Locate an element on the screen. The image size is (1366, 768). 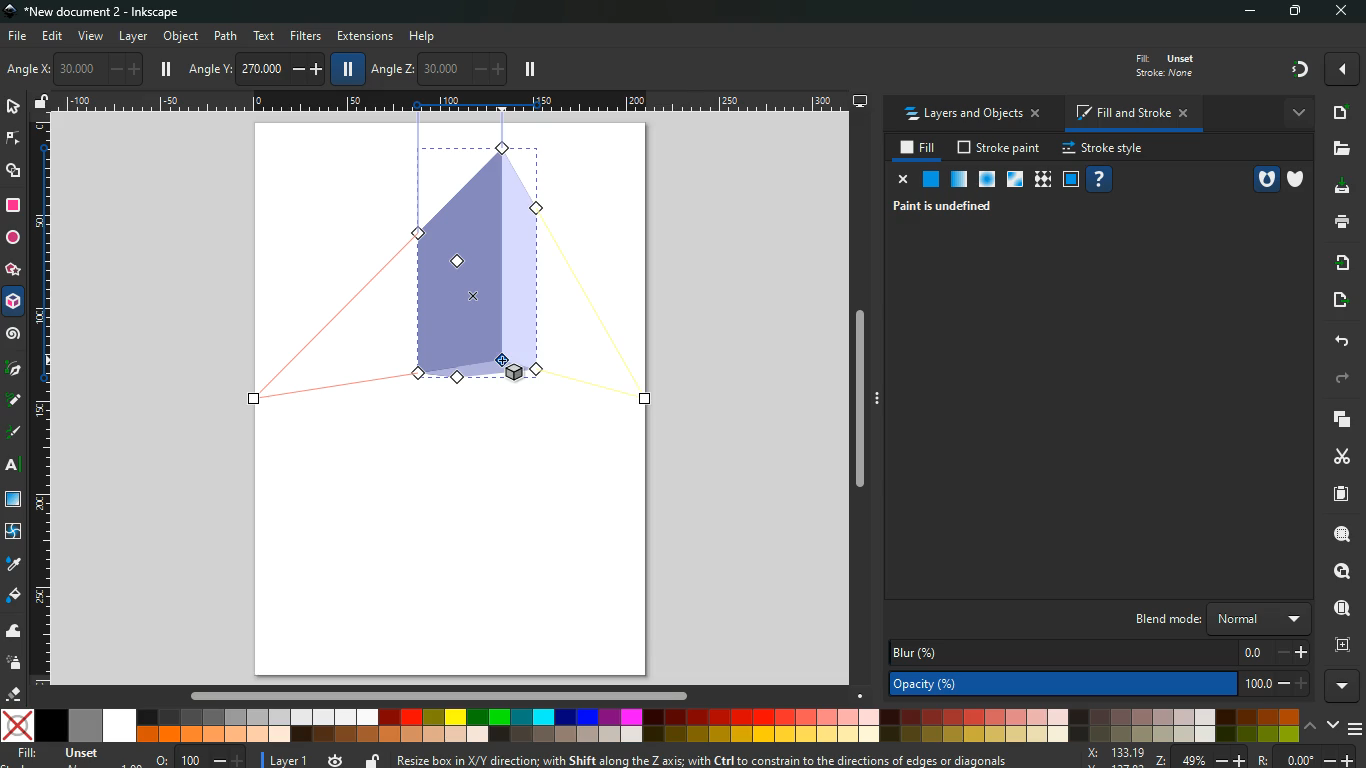
Scroll bar is located at coordinates (866, 401).